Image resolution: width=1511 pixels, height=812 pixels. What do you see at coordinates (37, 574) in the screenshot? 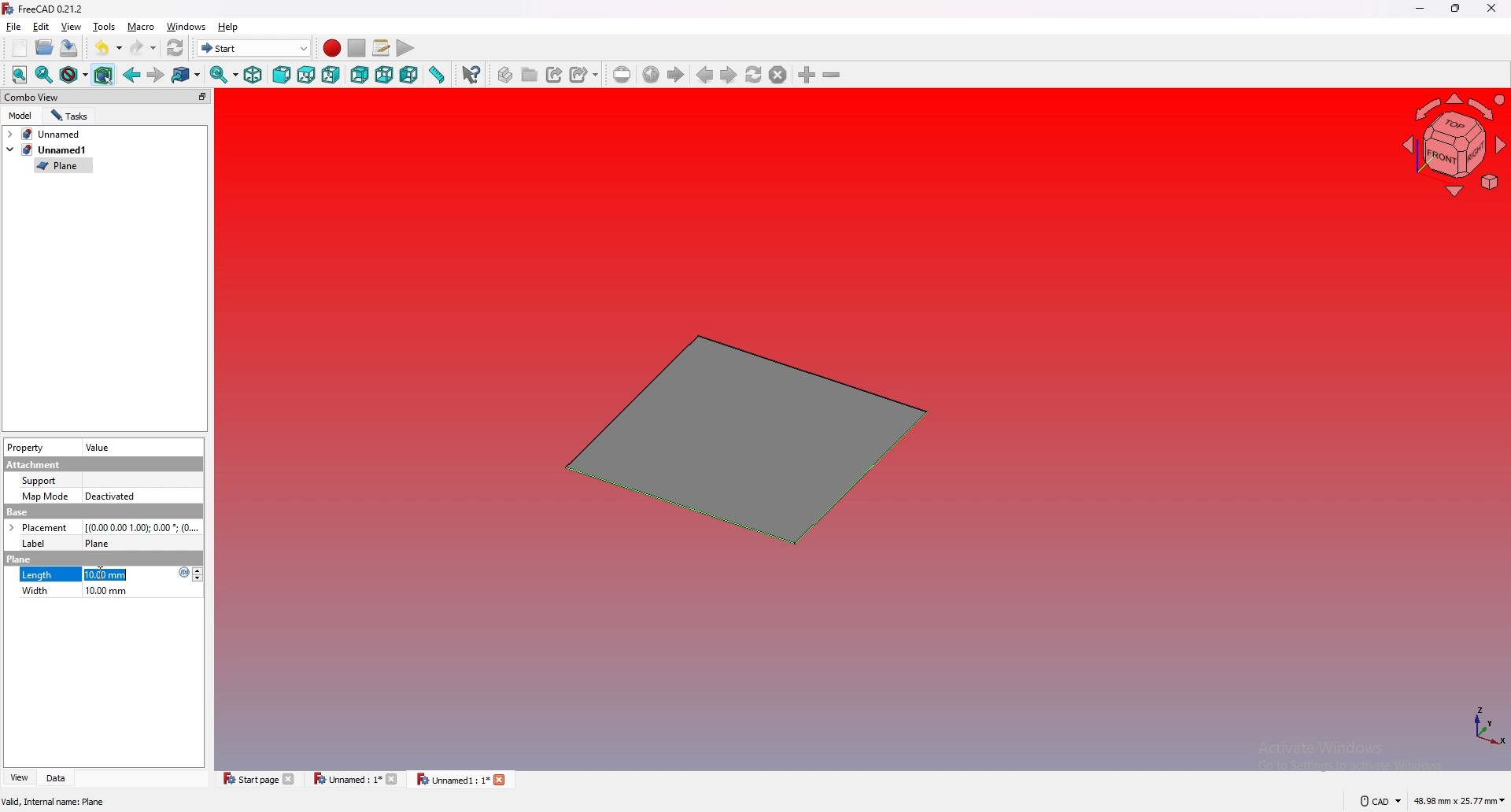
I see `length` at bounding box center [37, 574].